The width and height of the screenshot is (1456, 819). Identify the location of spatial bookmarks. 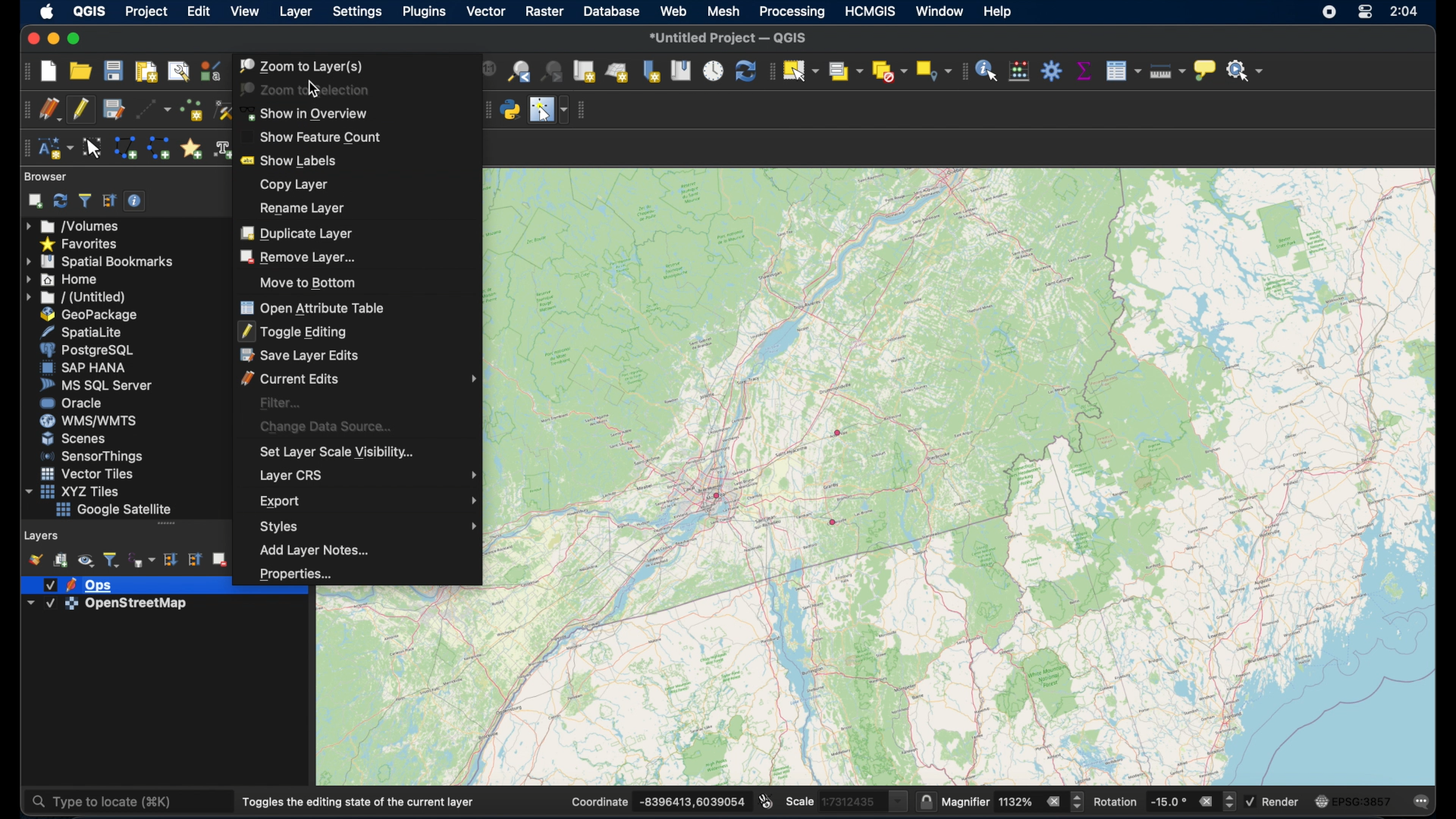
(99, 262).